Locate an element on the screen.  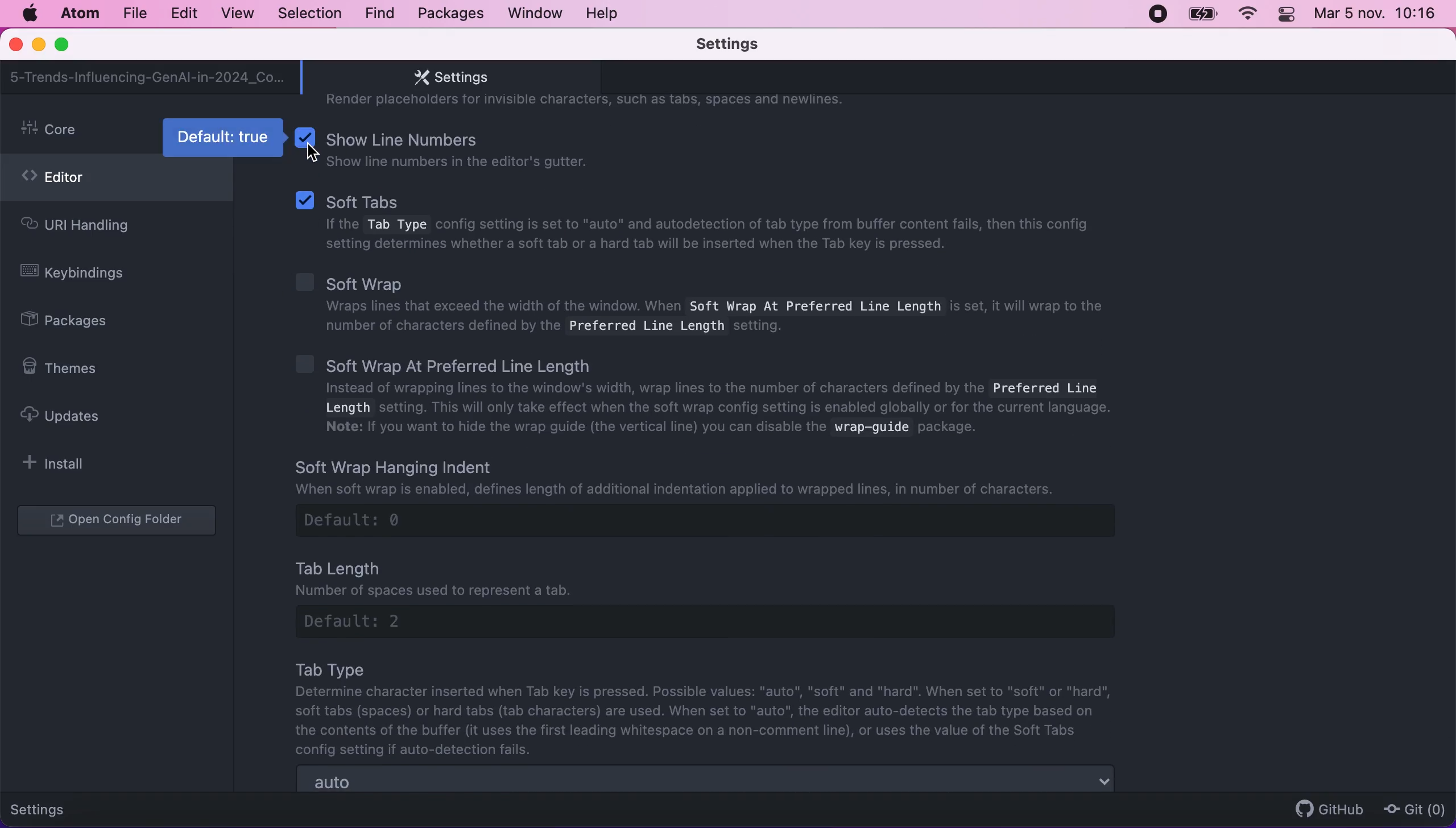
battery is located at coordinates (1202, 14).